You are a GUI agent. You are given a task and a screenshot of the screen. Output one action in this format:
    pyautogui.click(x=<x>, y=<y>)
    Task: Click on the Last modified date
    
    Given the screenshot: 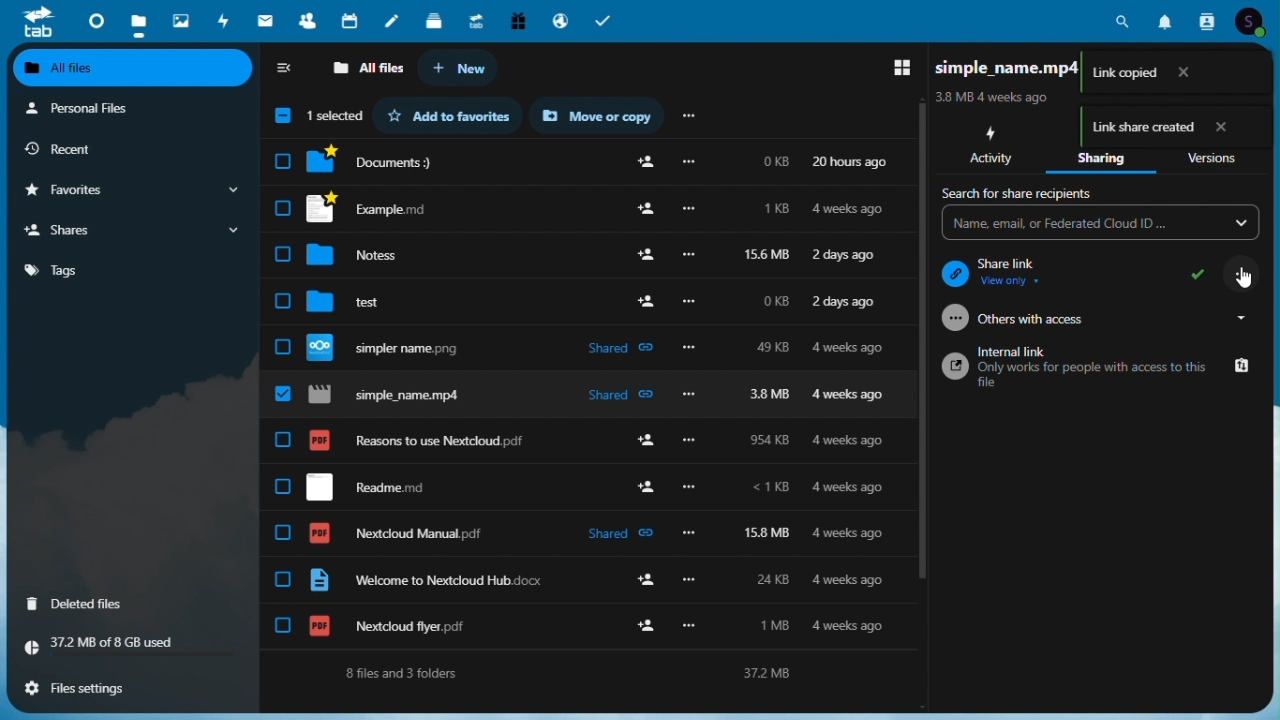 What is the action you would take?
    pyautogui.click(x=995, y=96)
    